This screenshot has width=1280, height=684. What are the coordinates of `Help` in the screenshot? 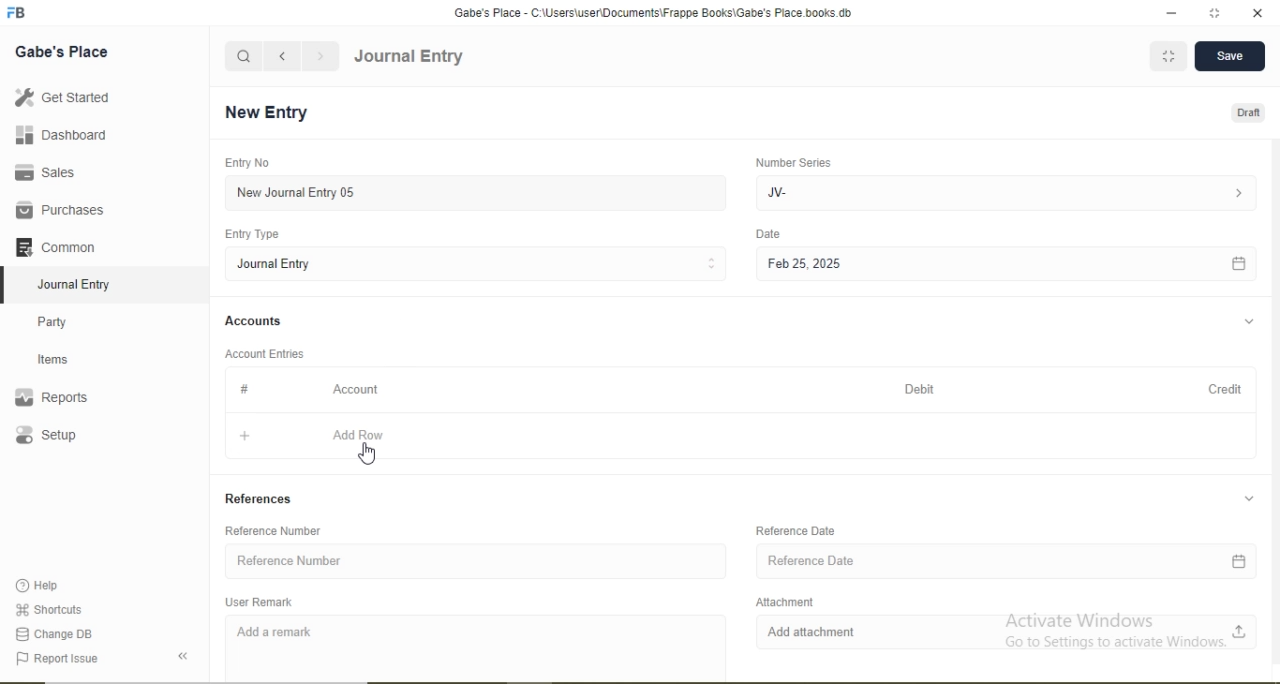 It's located at (46, 586).